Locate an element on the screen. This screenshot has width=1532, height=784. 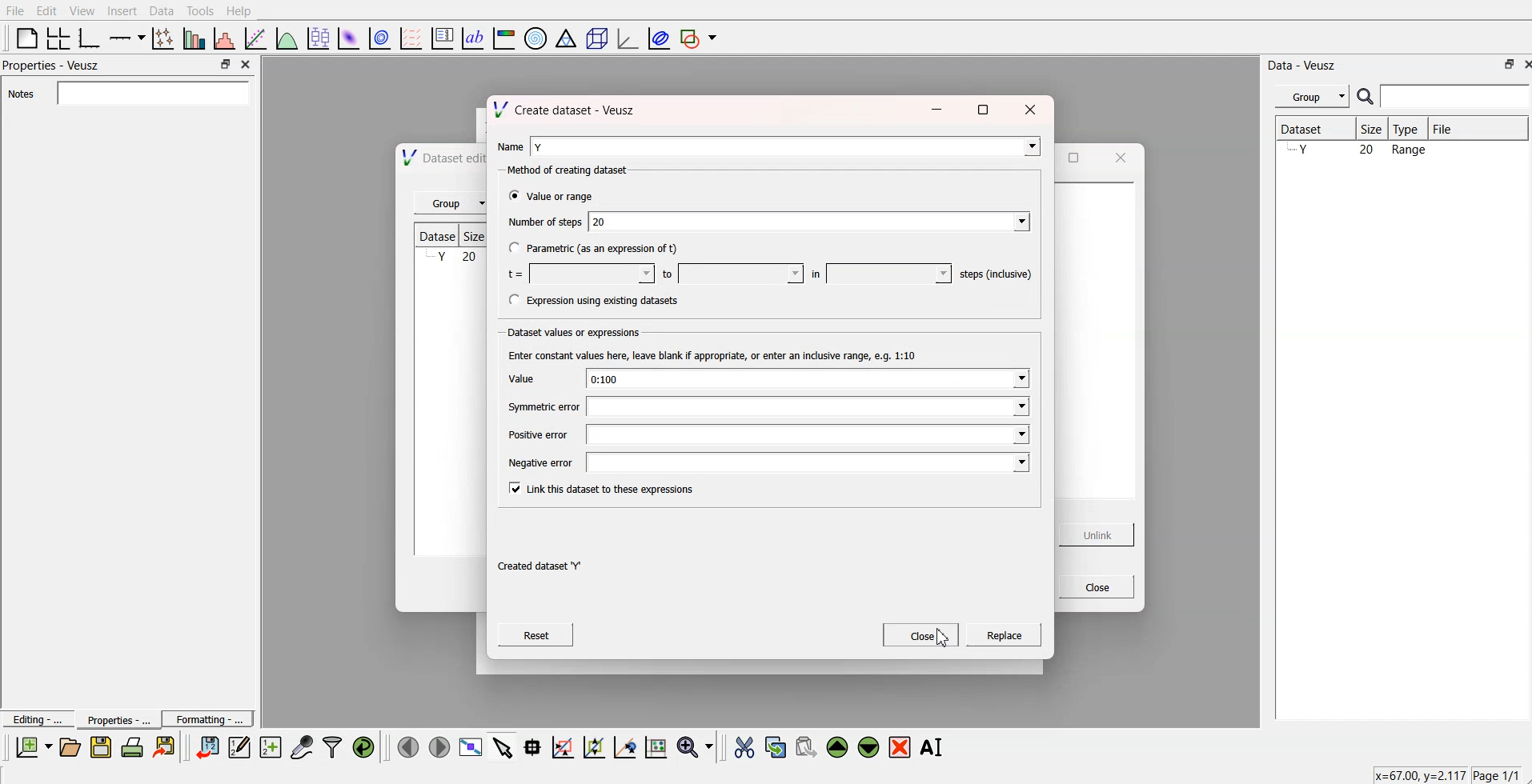
Search is located at coordinates (1444, 97).